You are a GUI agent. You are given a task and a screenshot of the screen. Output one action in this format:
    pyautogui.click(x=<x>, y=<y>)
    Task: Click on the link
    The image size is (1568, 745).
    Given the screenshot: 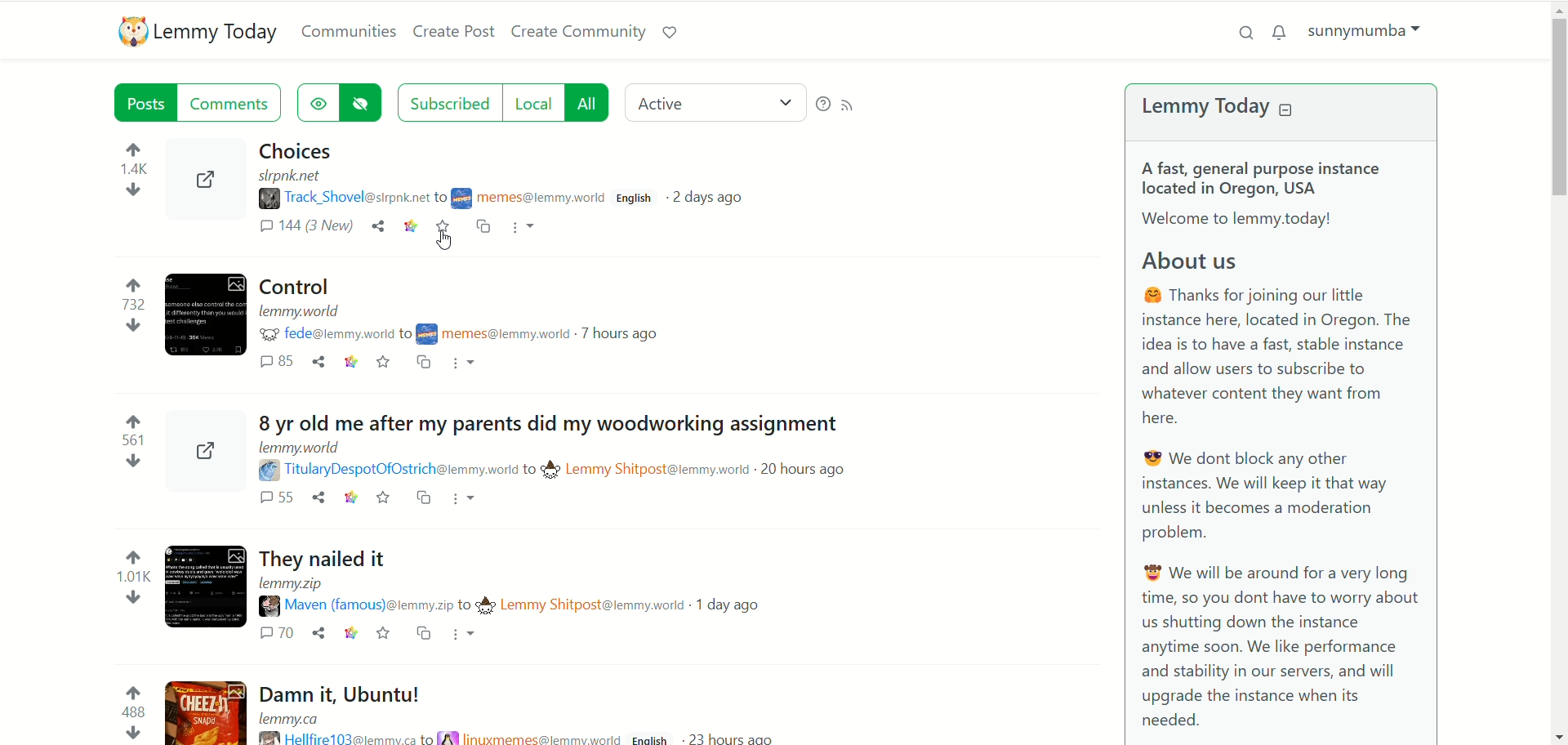 What is the action you would take?
    pyautogui.click(x=350, y=497)
    